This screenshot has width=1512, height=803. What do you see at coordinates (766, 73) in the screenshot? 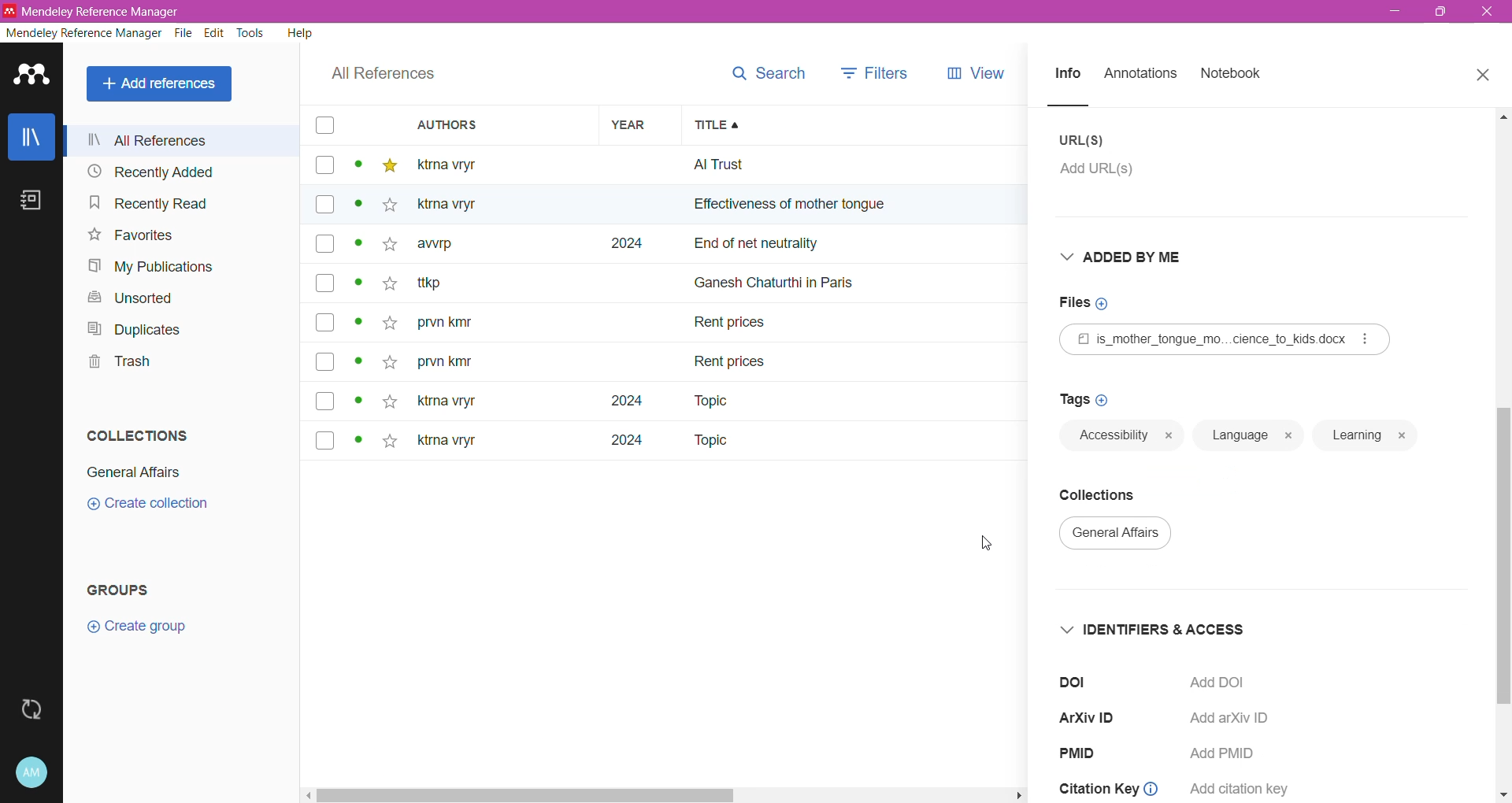
I see `search` at bounding box center [766, 73].